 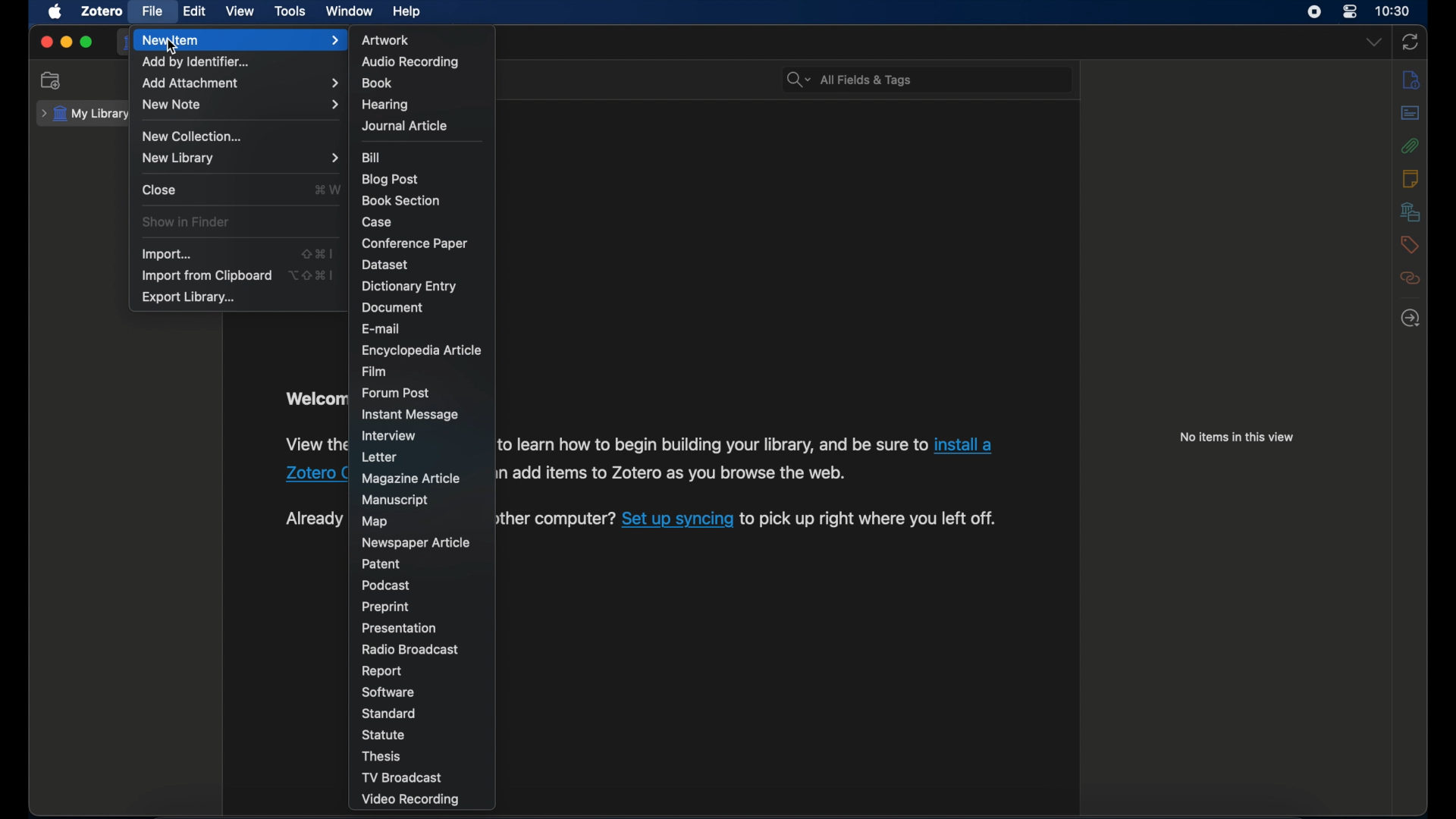 I want to click on e-mail, so click(x=381, y=328).